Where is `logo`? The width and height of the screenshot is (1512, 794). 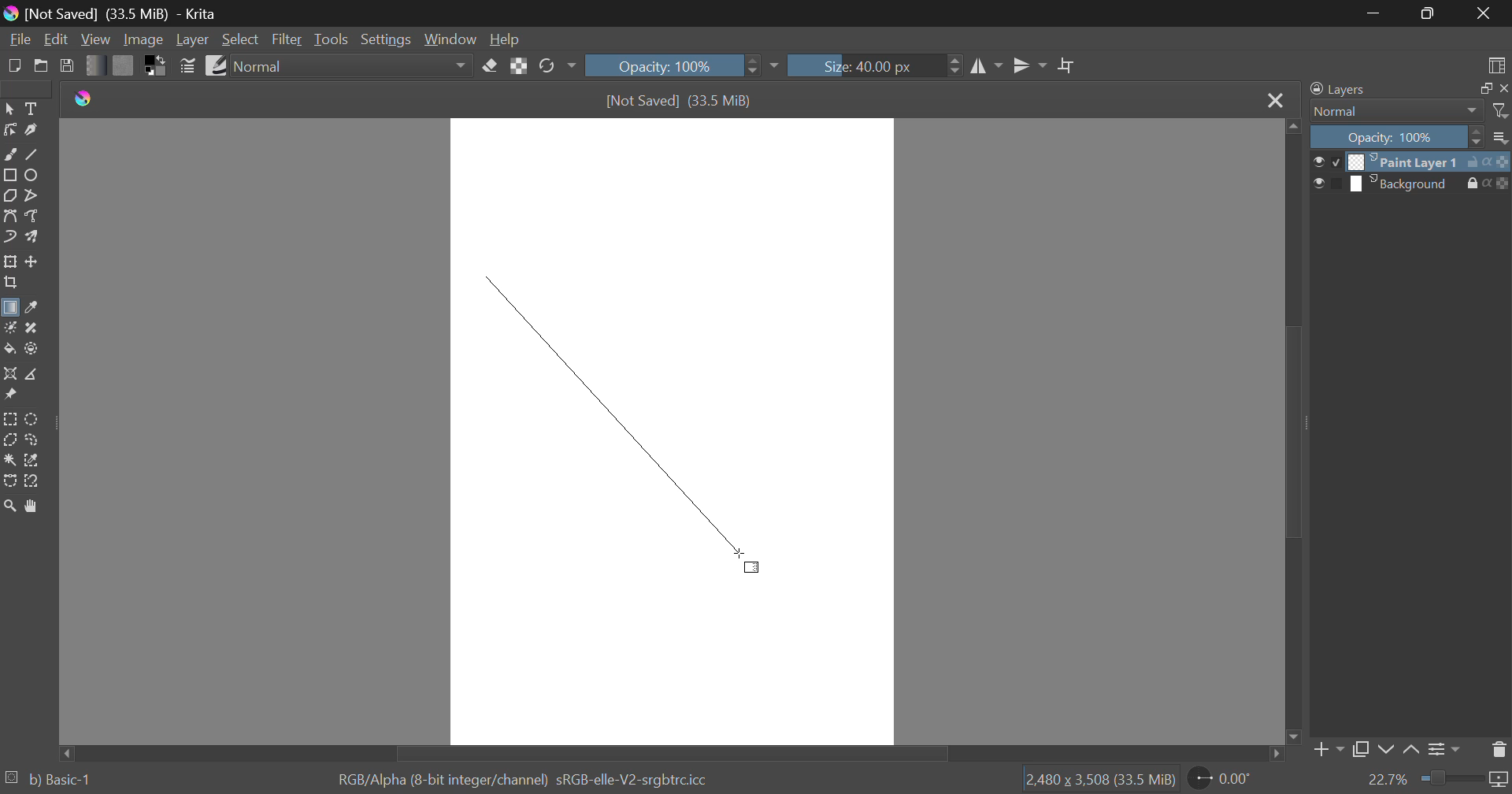
logo is located at coordinates (88, 99).